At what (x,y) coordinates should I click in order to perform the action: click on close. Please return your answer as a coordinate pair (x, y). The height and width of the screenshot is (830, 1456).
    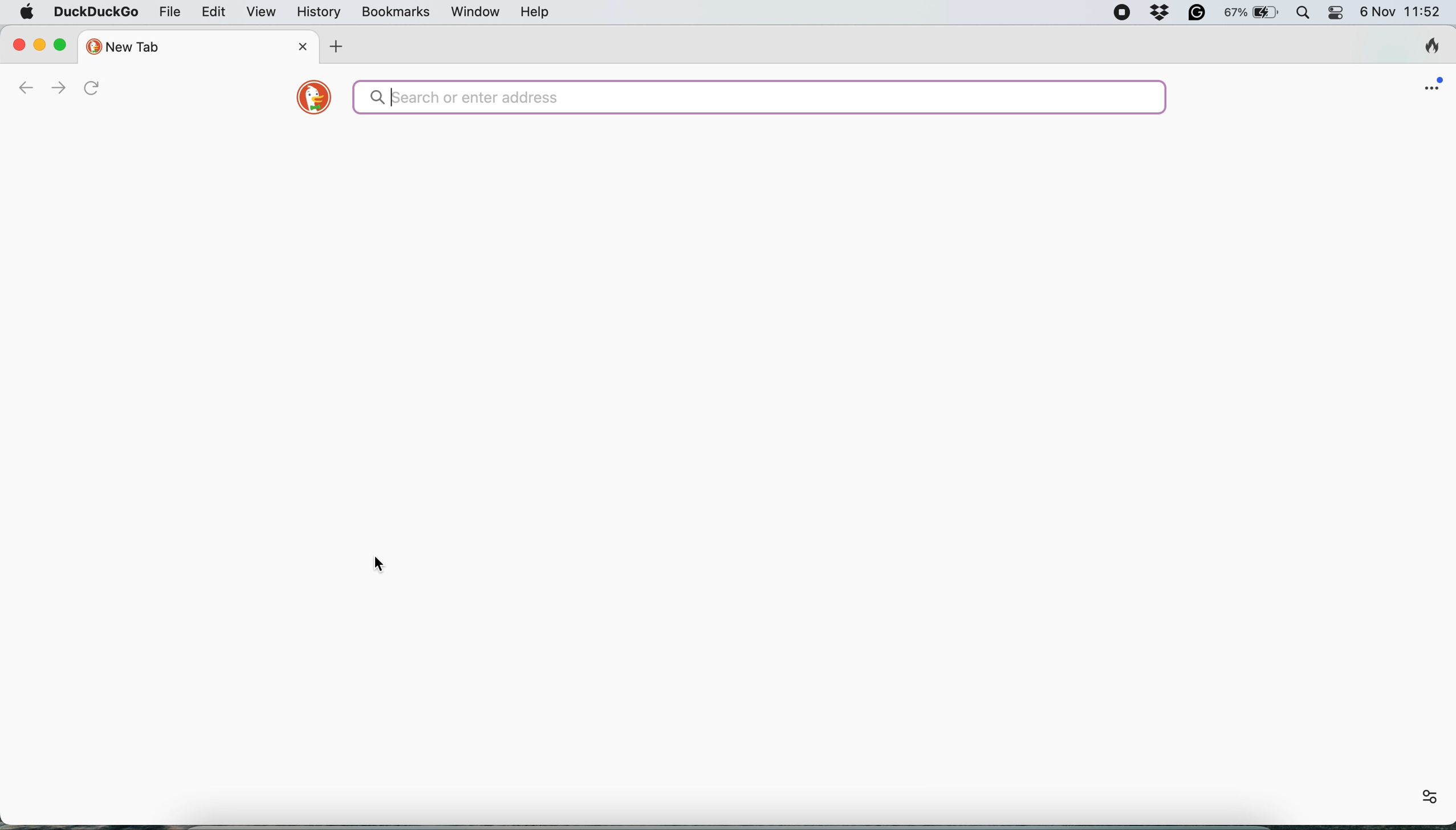
    Looking at the image, I should click on (16, 45).